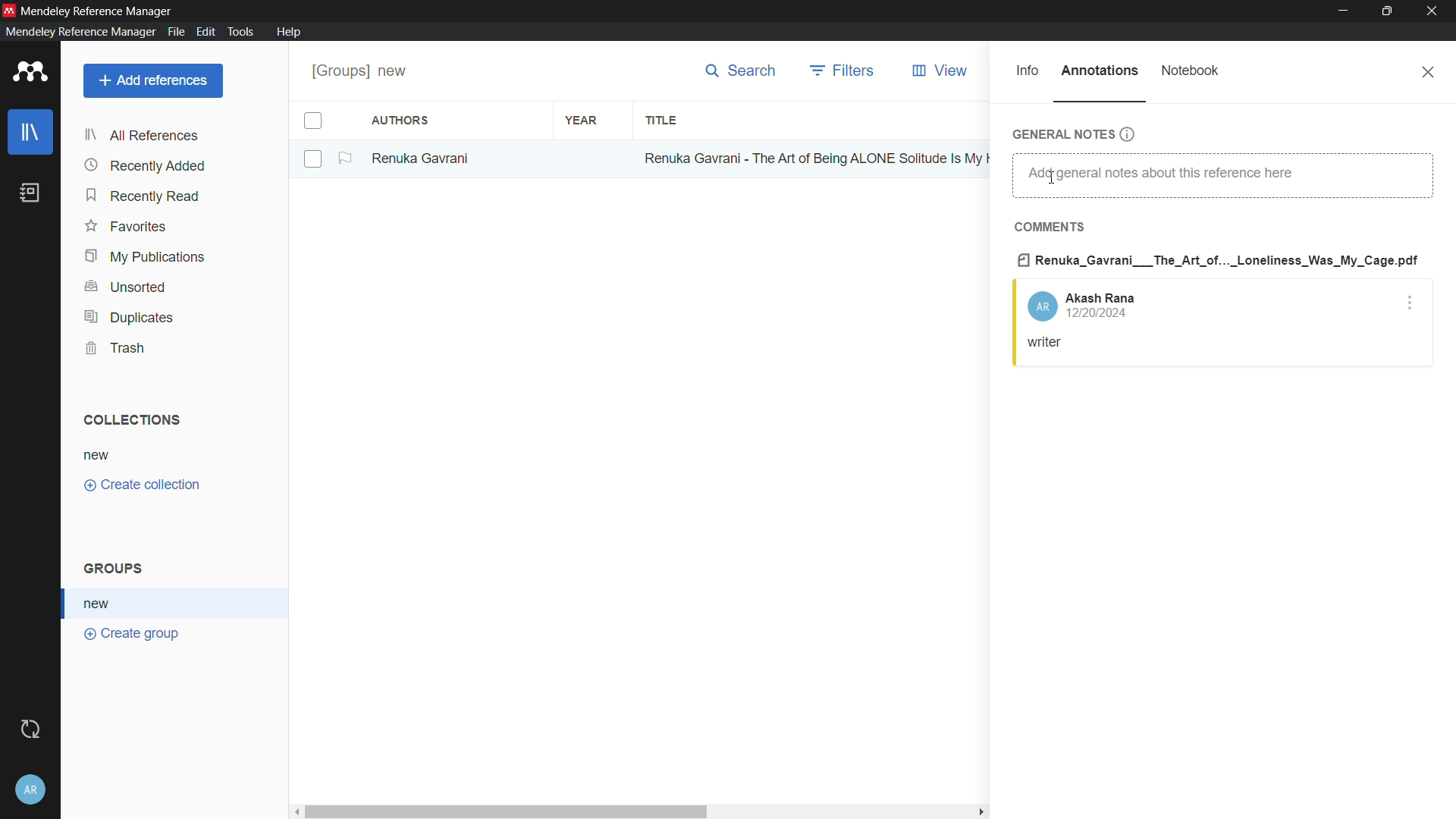 The image size is (1456, 819). What do you see at coordinates (30, 132) in the screenshot?
I see `library` at bounding box center [30, 132].